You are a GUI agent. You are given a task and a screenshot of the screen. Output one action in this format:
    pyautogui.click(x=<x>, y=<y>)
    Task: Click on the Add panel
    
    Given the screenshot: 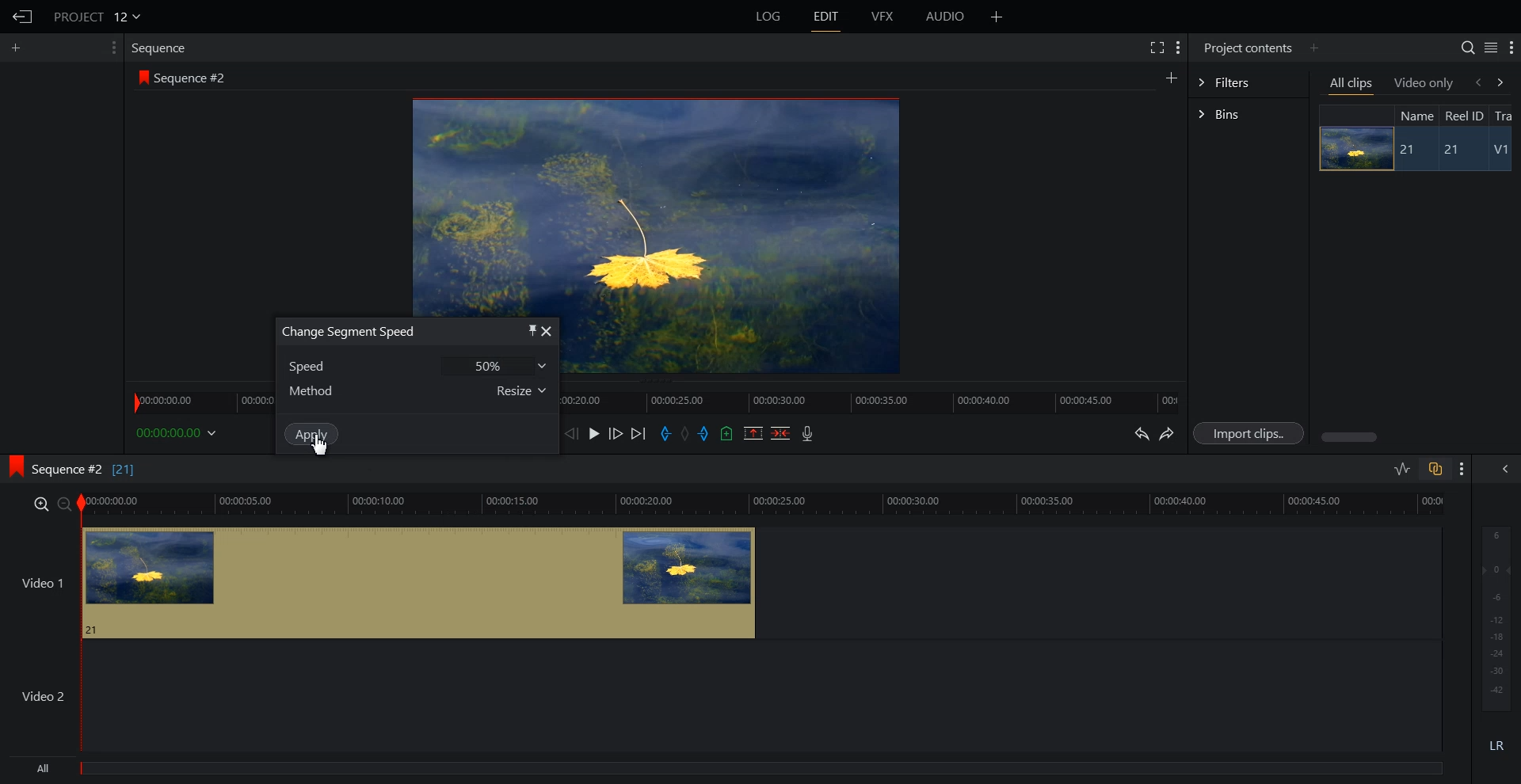 What is the action you would take?
    pyautogui.click(x=1171, y=77)
    